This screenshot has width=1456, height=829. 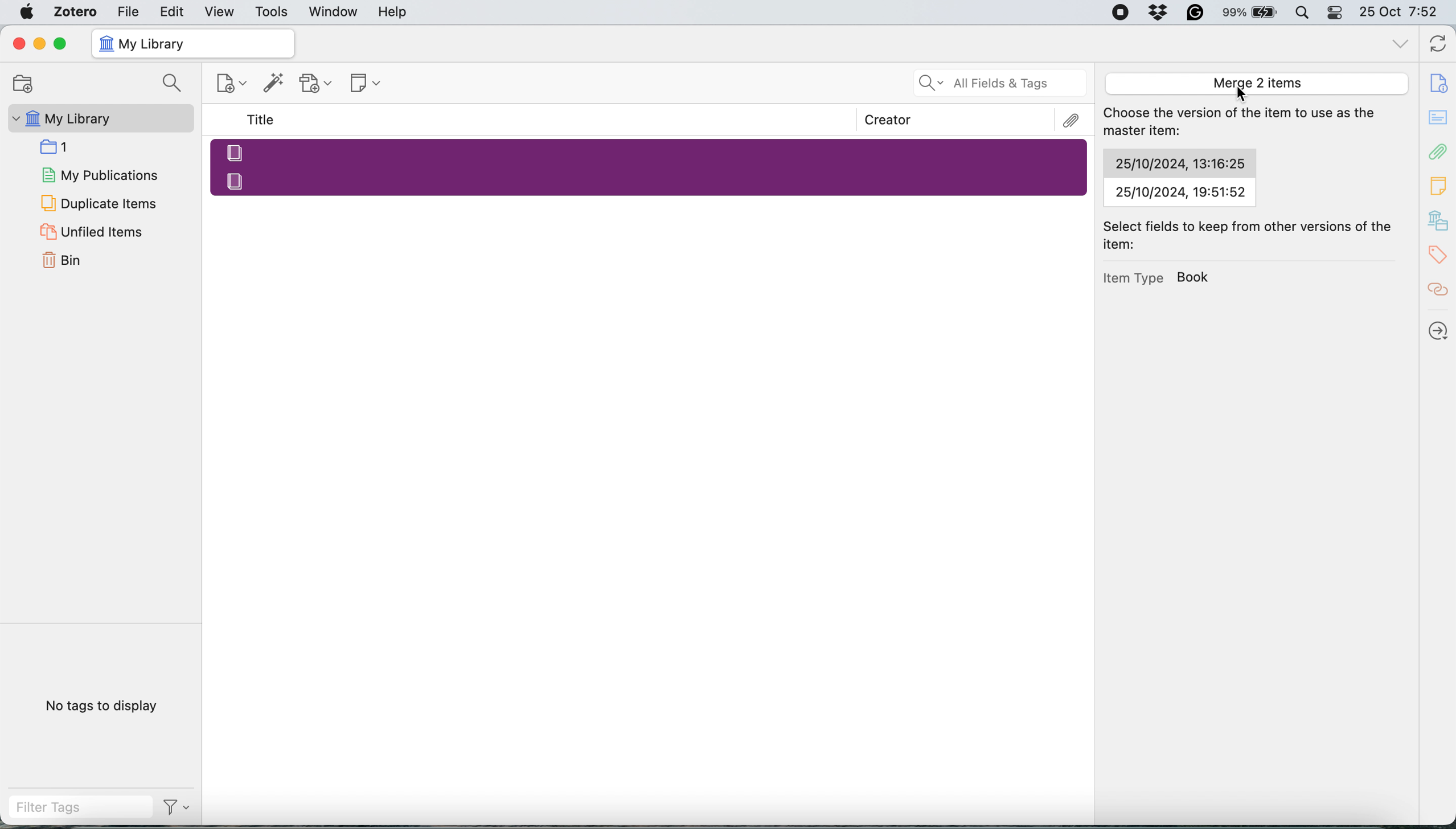 What do you see at coordinates (1441, 255) in the screenshot?
I see `Tags` at bounding box center [1441, 255].